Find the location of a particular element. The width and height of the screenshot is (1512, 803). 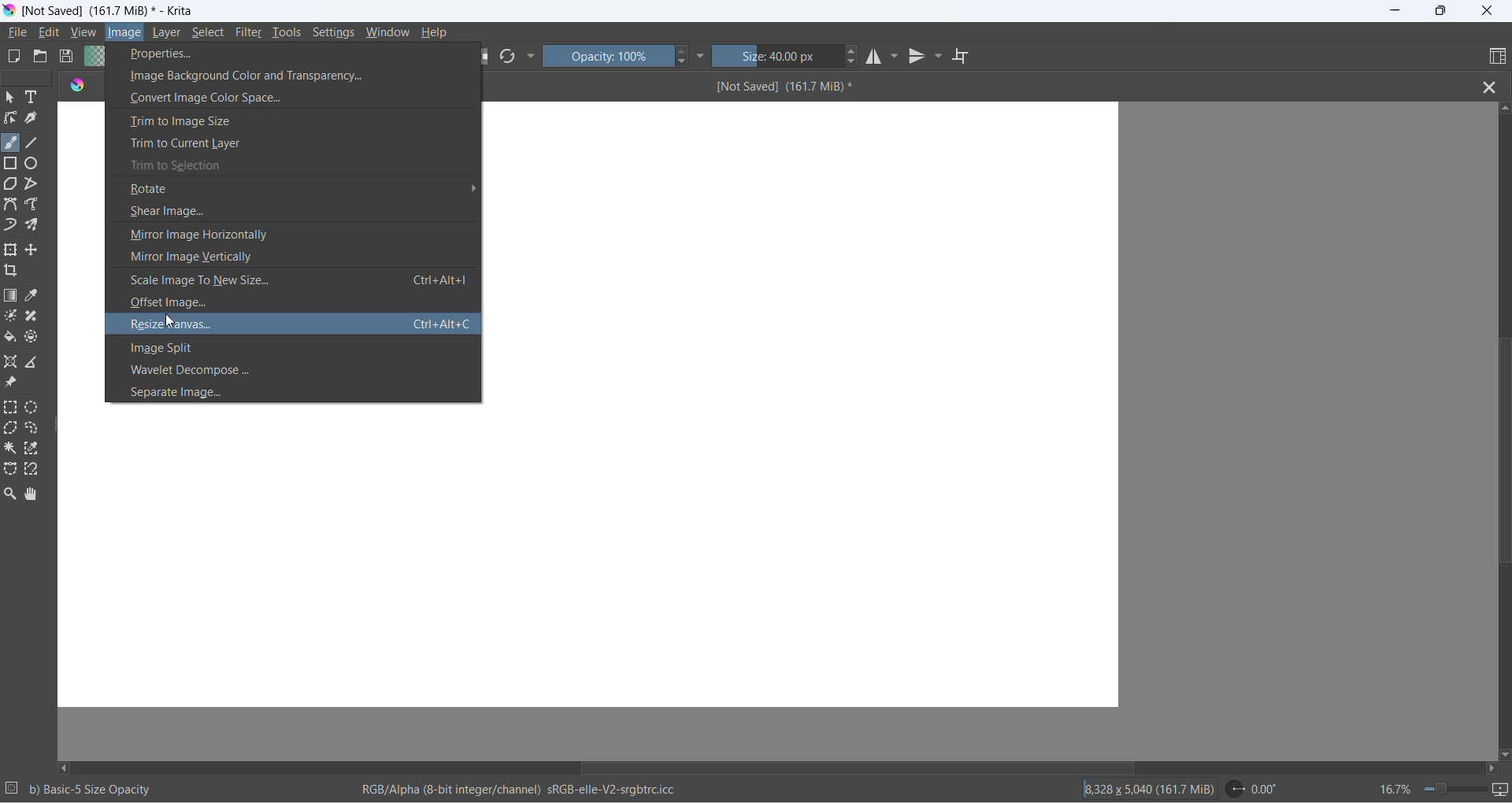

vertical mirror setting dropdown button is located at coordinates (939, 58).